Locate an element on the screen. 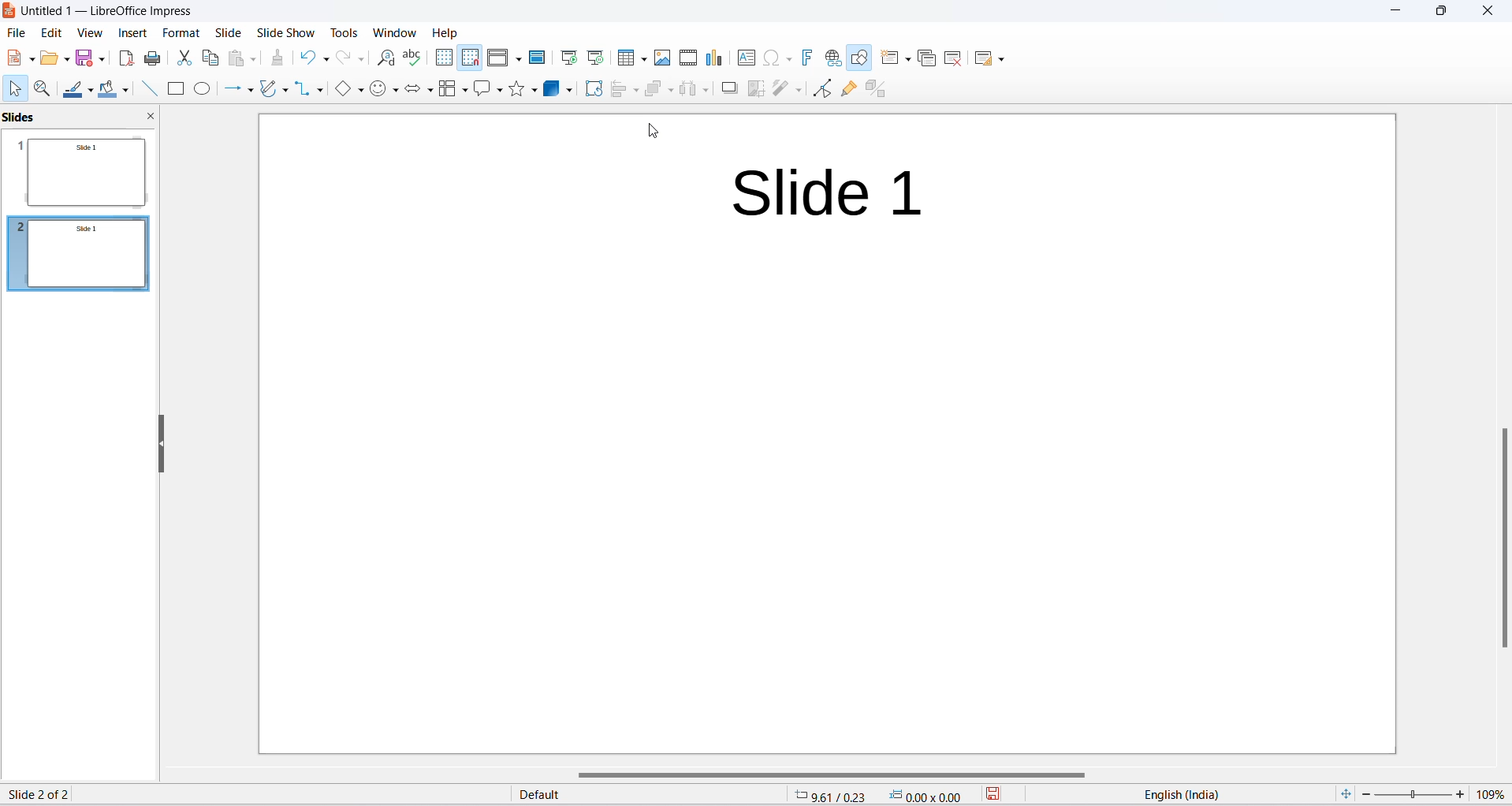 This screenshot has width=1512, height=806. clone formatting is located at coordinates (277, 61).